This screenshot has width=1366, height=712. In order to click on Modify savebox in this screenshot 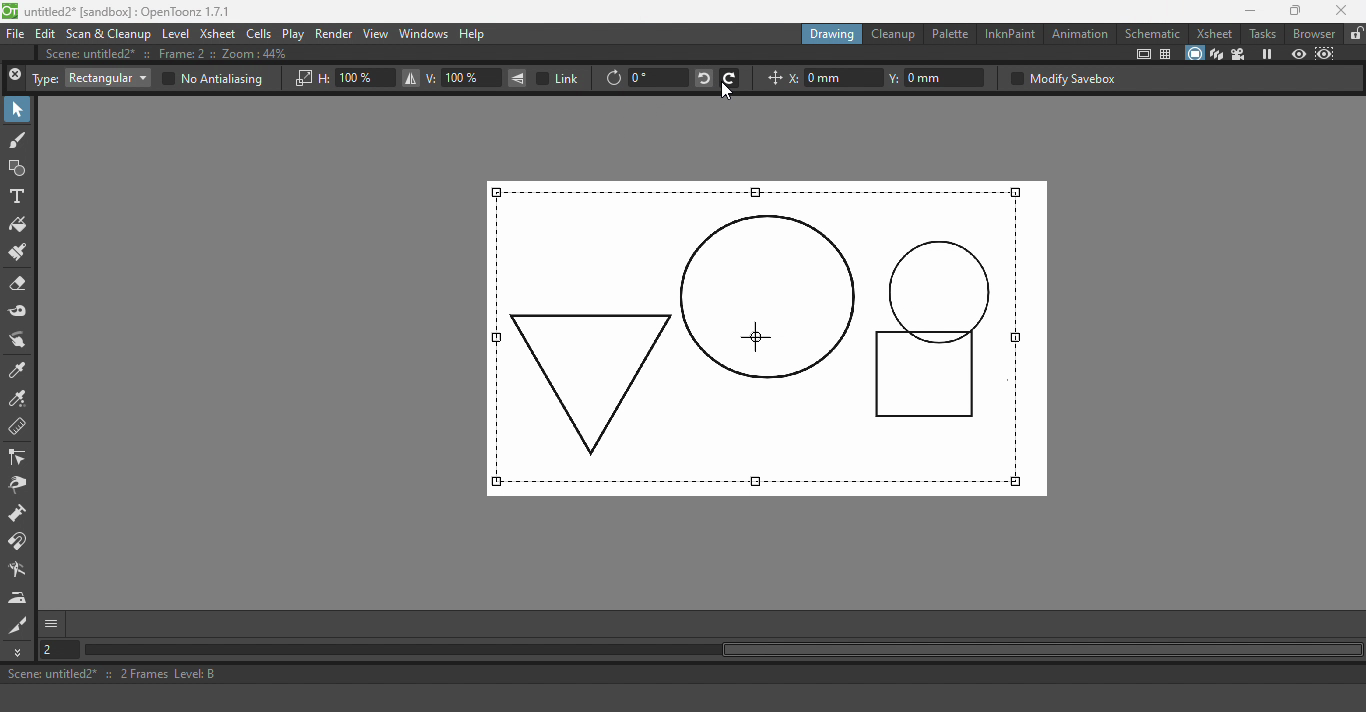, I will do `click(1062, 78)`.